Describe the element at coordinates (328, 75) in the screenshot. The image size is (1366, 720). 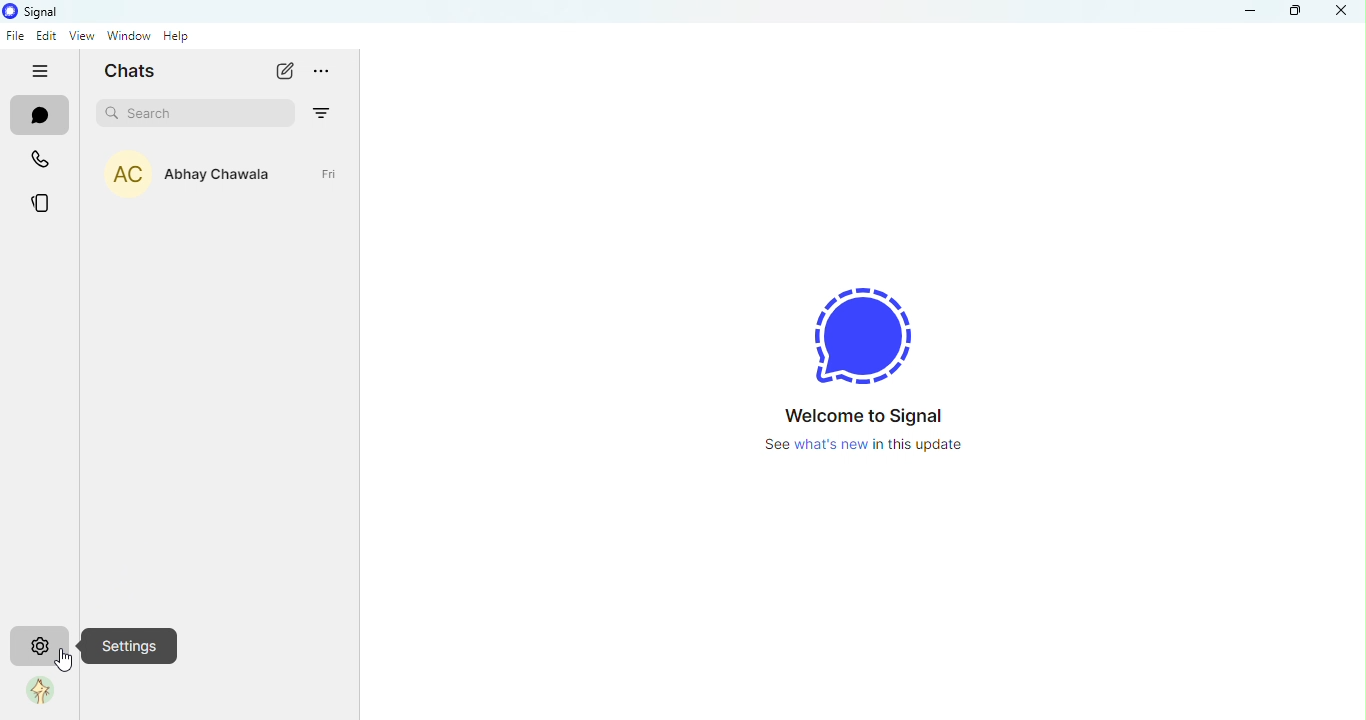
I see `more options` at that location.